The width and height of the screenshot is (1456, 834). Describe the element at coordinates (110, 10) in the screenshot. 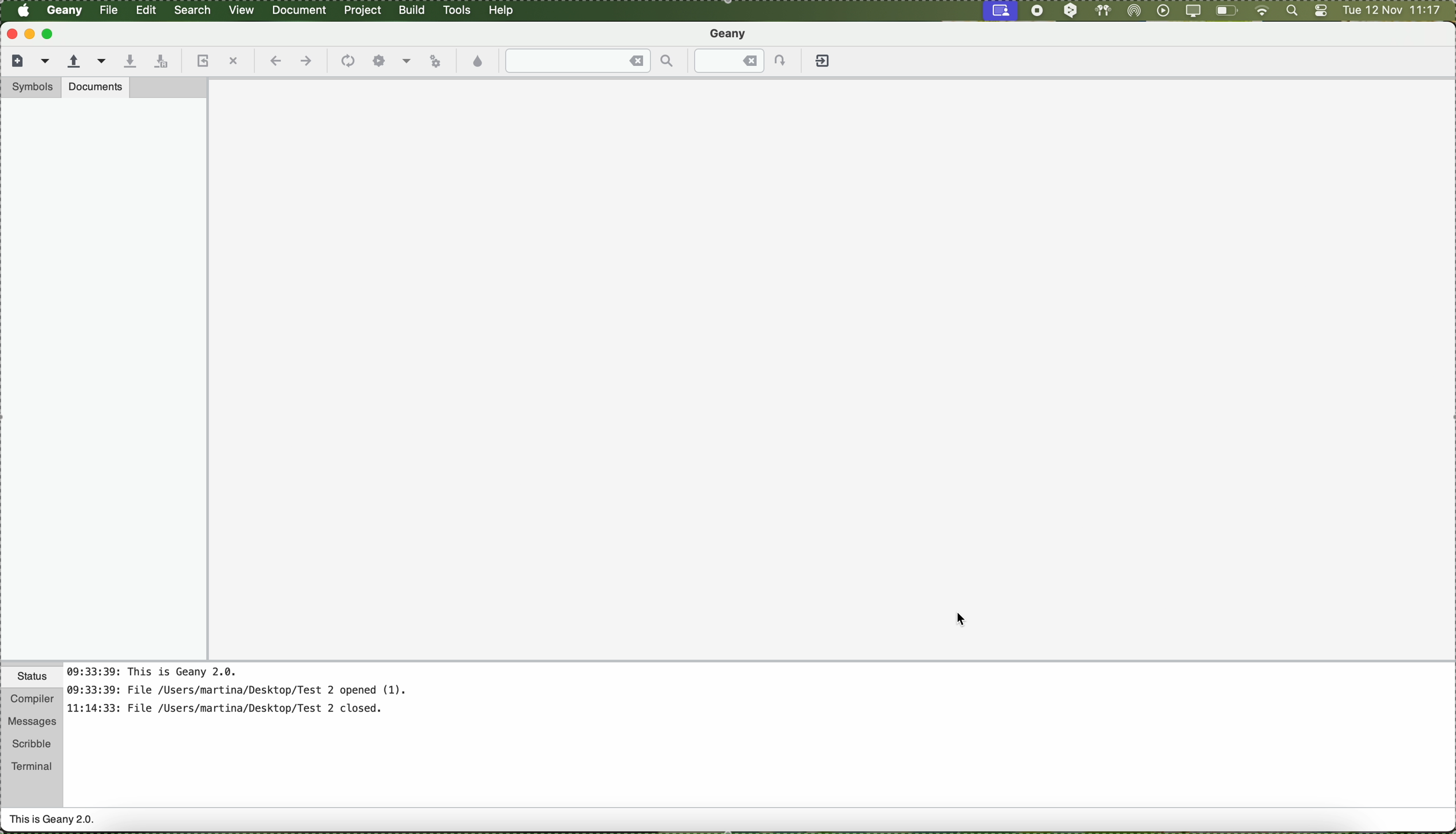

I see `file` at that location.